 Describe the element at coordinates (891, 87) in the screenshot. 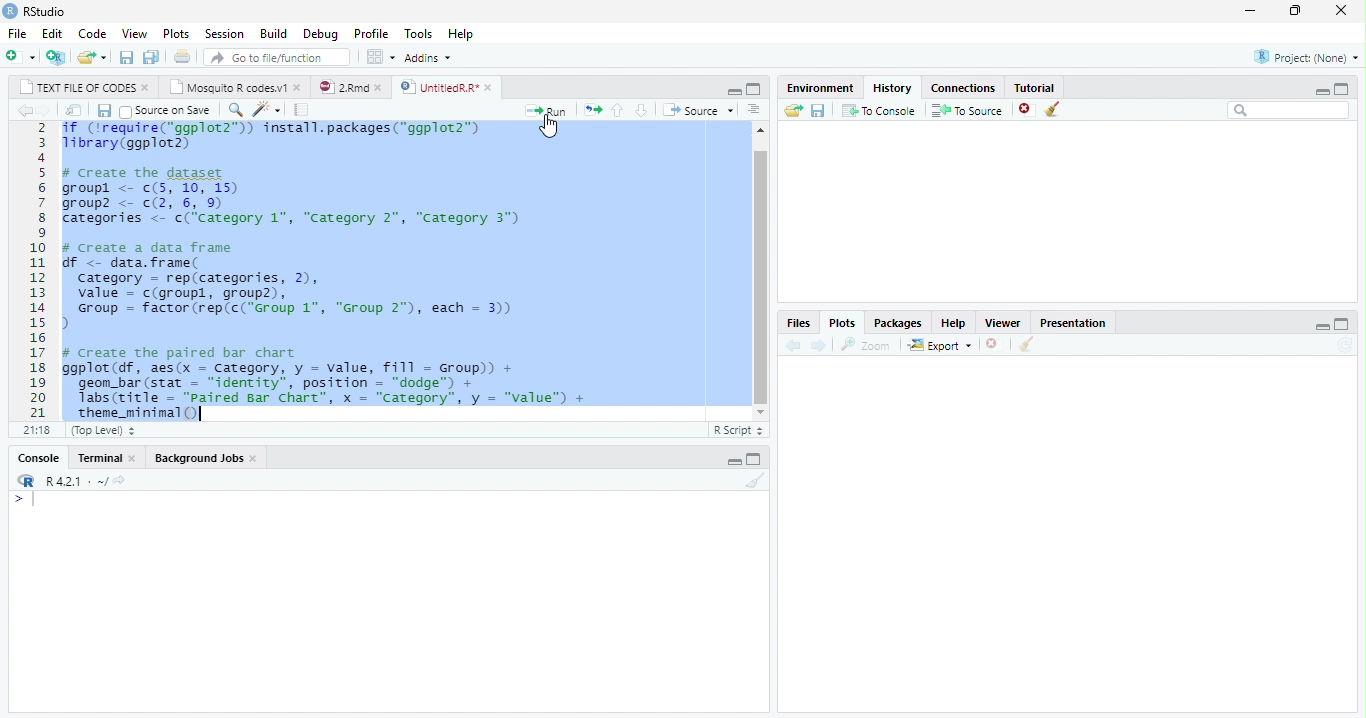

I see `history` at that location.